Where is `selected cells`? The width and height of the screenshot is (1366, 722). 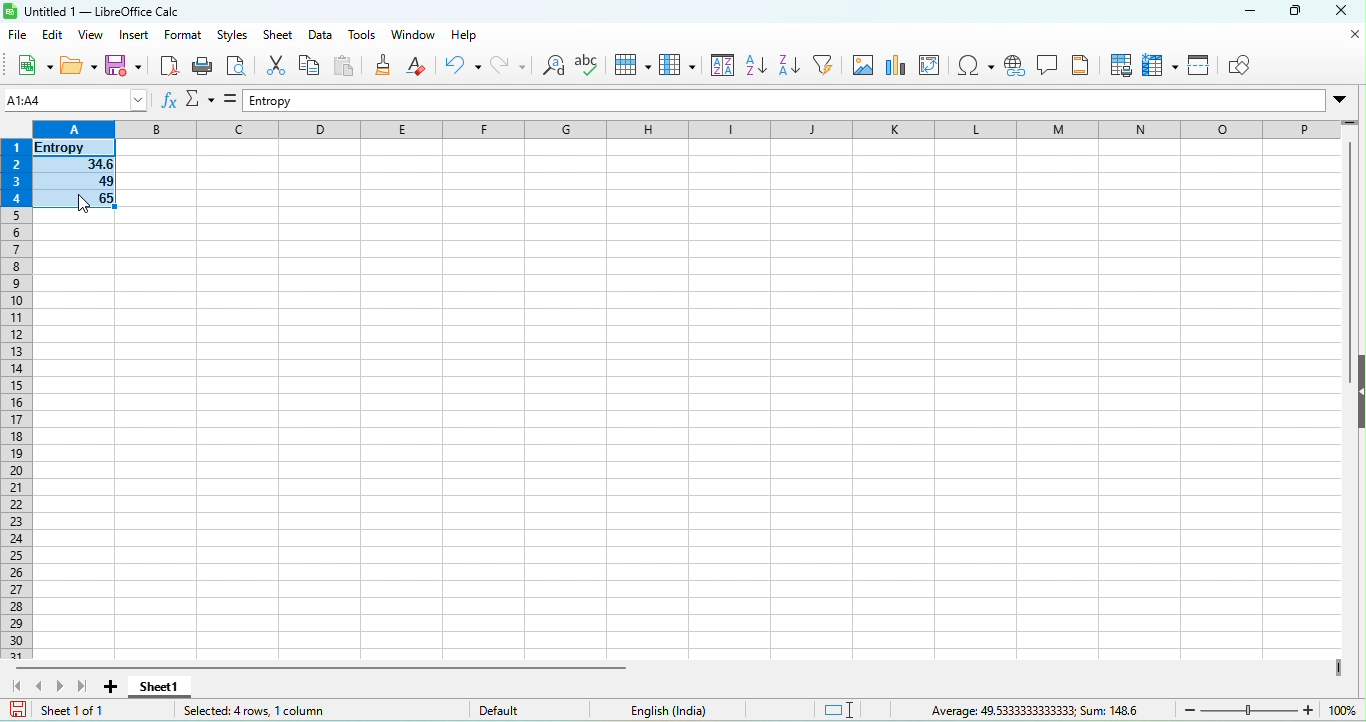
selected cells is located at coordinates (77, 175).